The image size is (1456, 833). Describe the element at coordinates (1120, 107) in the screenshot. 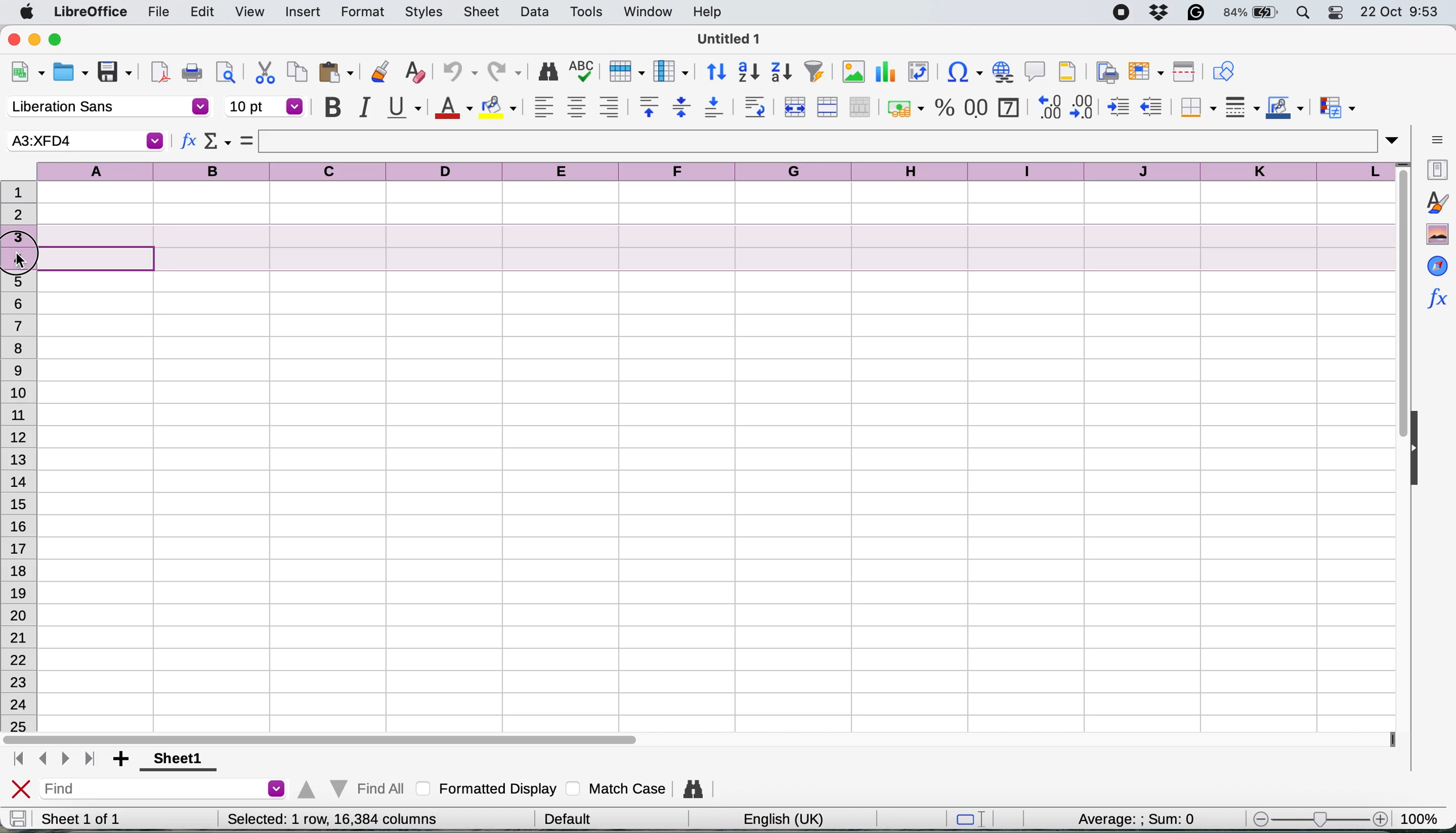

I see `increase indent` at that location.